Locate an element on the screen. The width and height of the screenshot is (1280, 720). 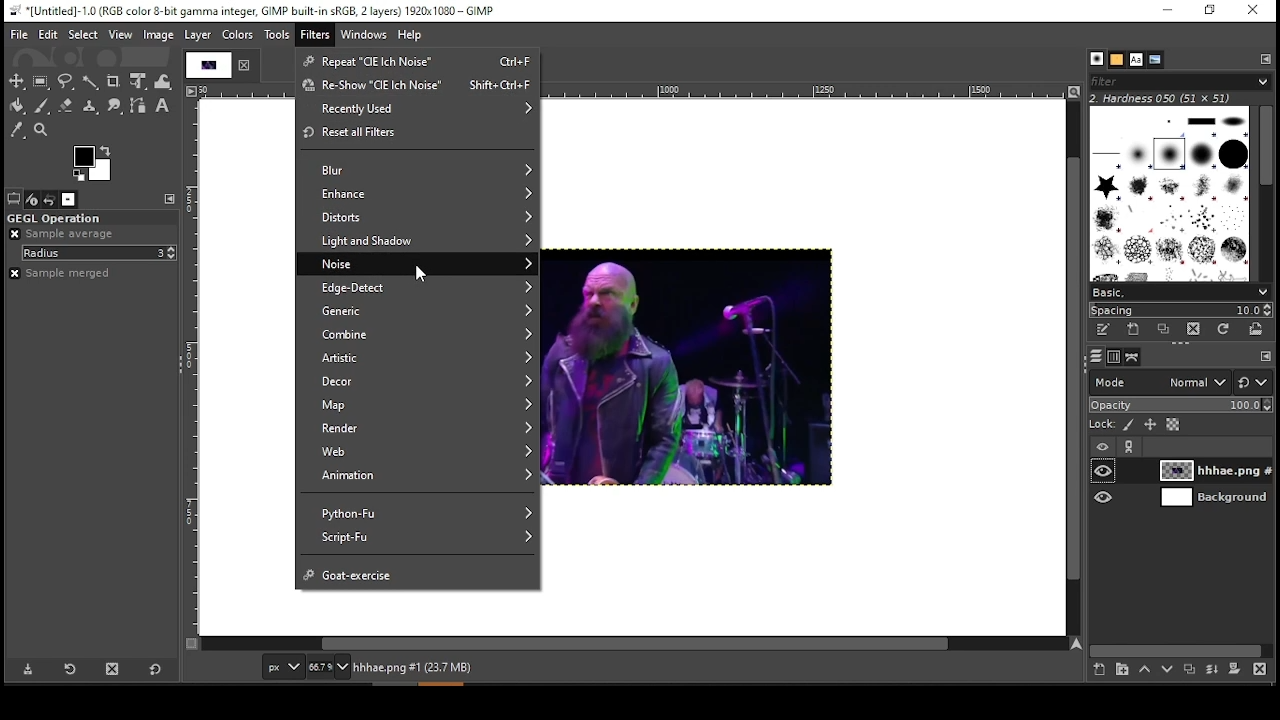
decor is located at coordinates (417, 384).